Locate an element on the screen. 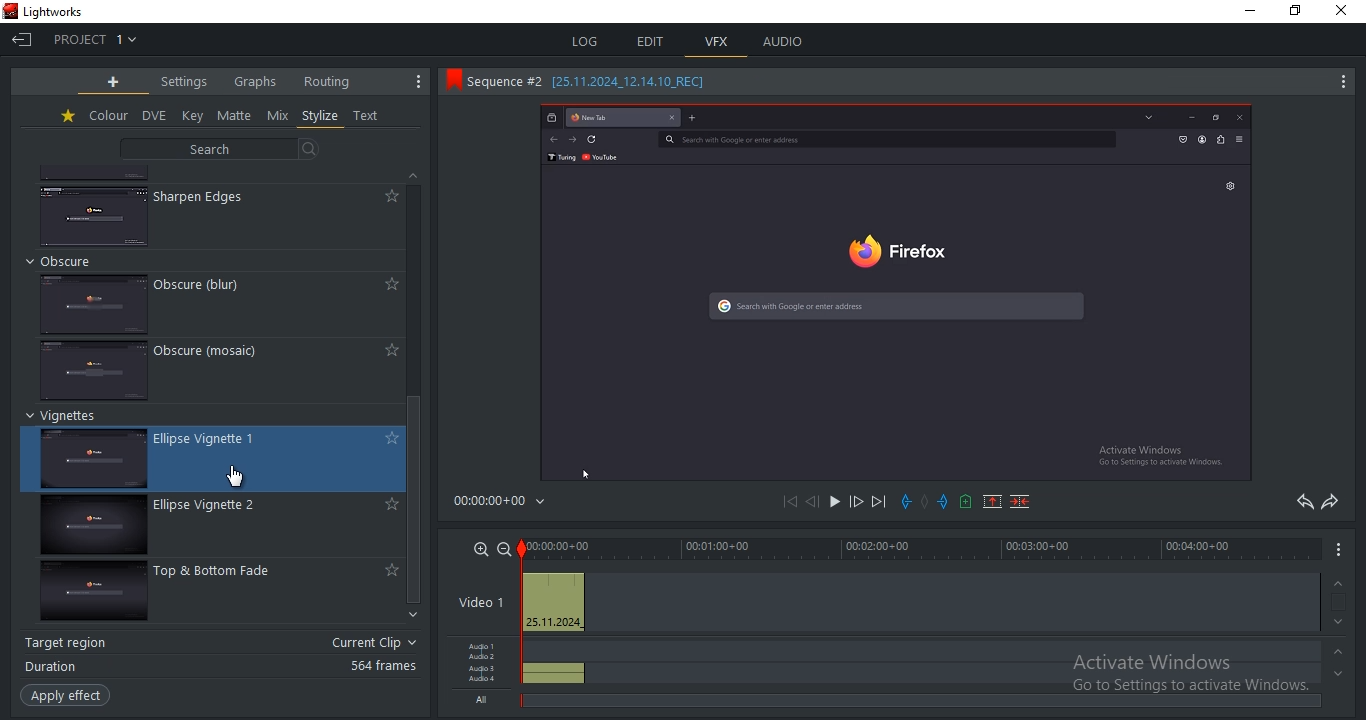  Zoom in is located at coordinates (478, 549).